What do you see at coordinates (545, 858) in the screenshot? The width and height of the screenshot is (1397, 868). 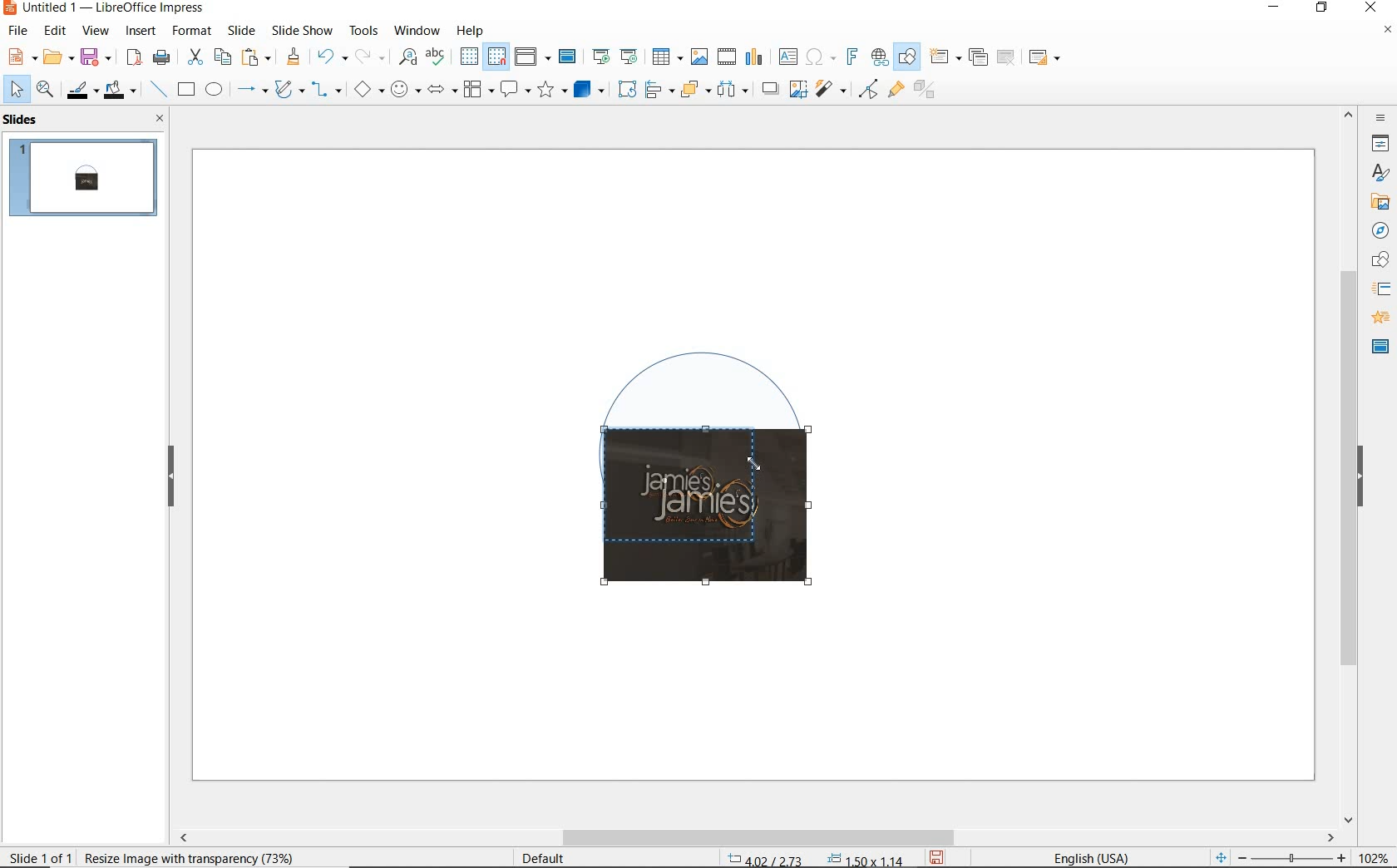 I see `Default` at bounding box center [545, 858].